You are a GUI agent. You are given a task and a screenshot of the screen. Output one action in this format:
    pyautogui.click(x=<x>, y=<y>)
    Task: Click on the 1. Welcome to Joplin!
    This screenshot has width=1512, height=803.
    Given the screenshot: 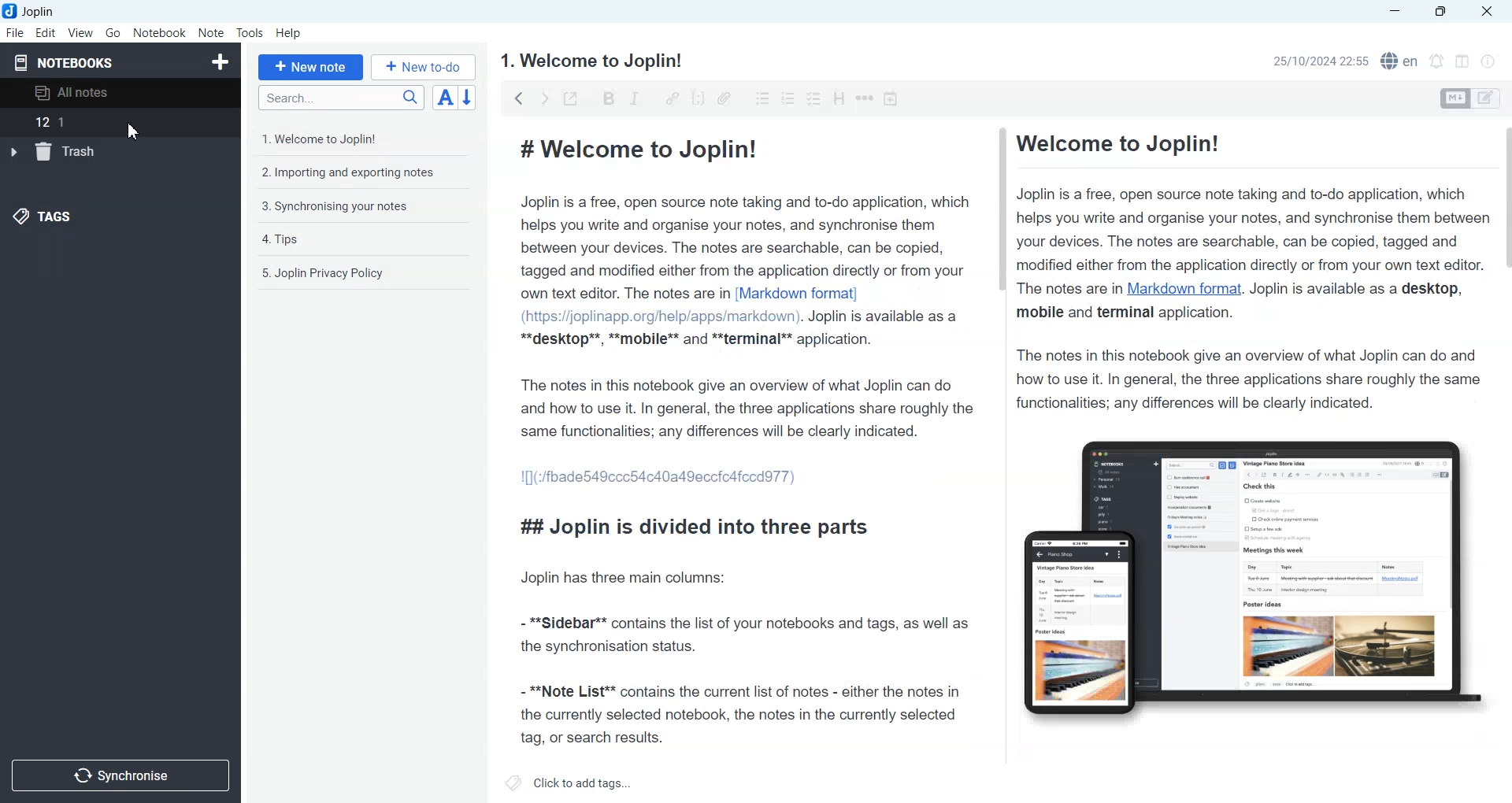 What is the action you would take?
    pyautogui.click(x=332, y=138)
    